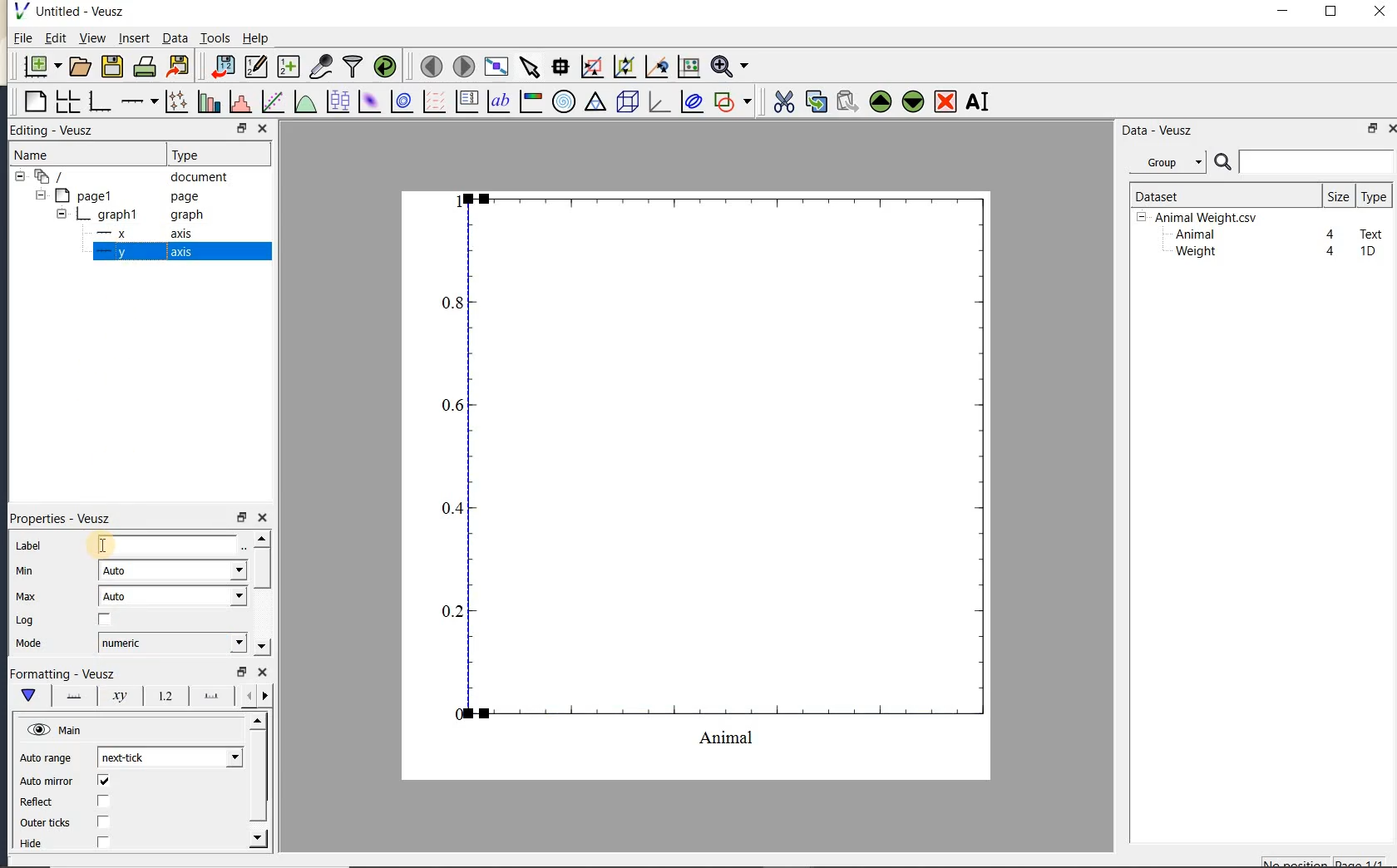  Describe the element at coordinates (400, 101) in the screenshot. I see `plot a 2d dataset as contours` at that location.